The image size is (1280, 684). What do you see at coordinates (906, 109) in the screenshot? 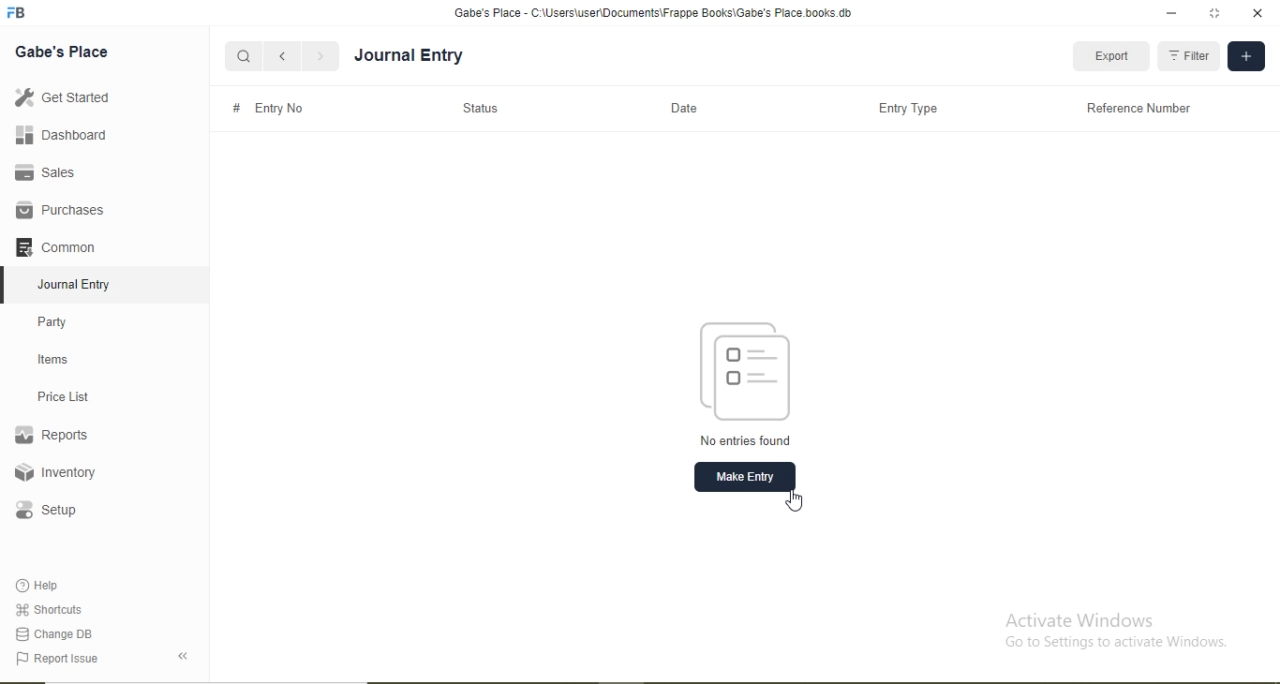
I see `Entry Type` at bounding box center [906, 109].